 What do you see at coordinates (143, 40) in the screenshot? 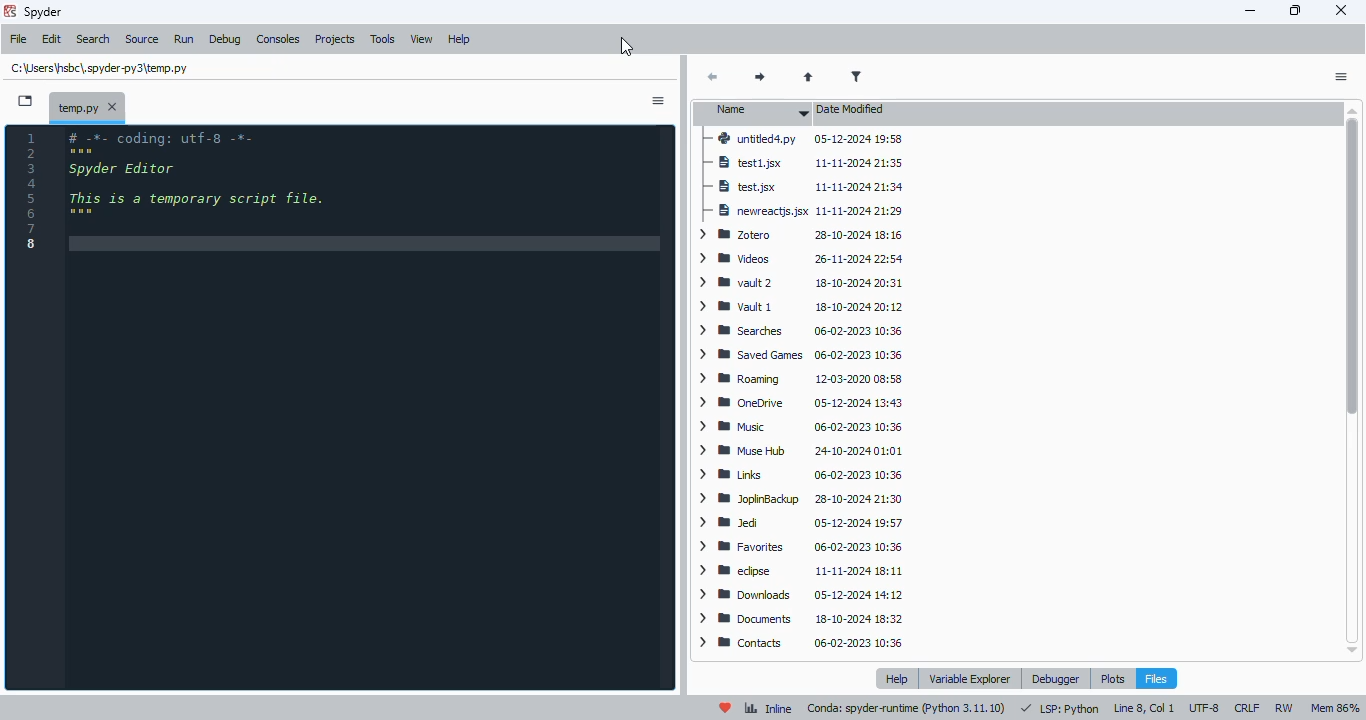
I see `source` at bounding box center [143, 40].